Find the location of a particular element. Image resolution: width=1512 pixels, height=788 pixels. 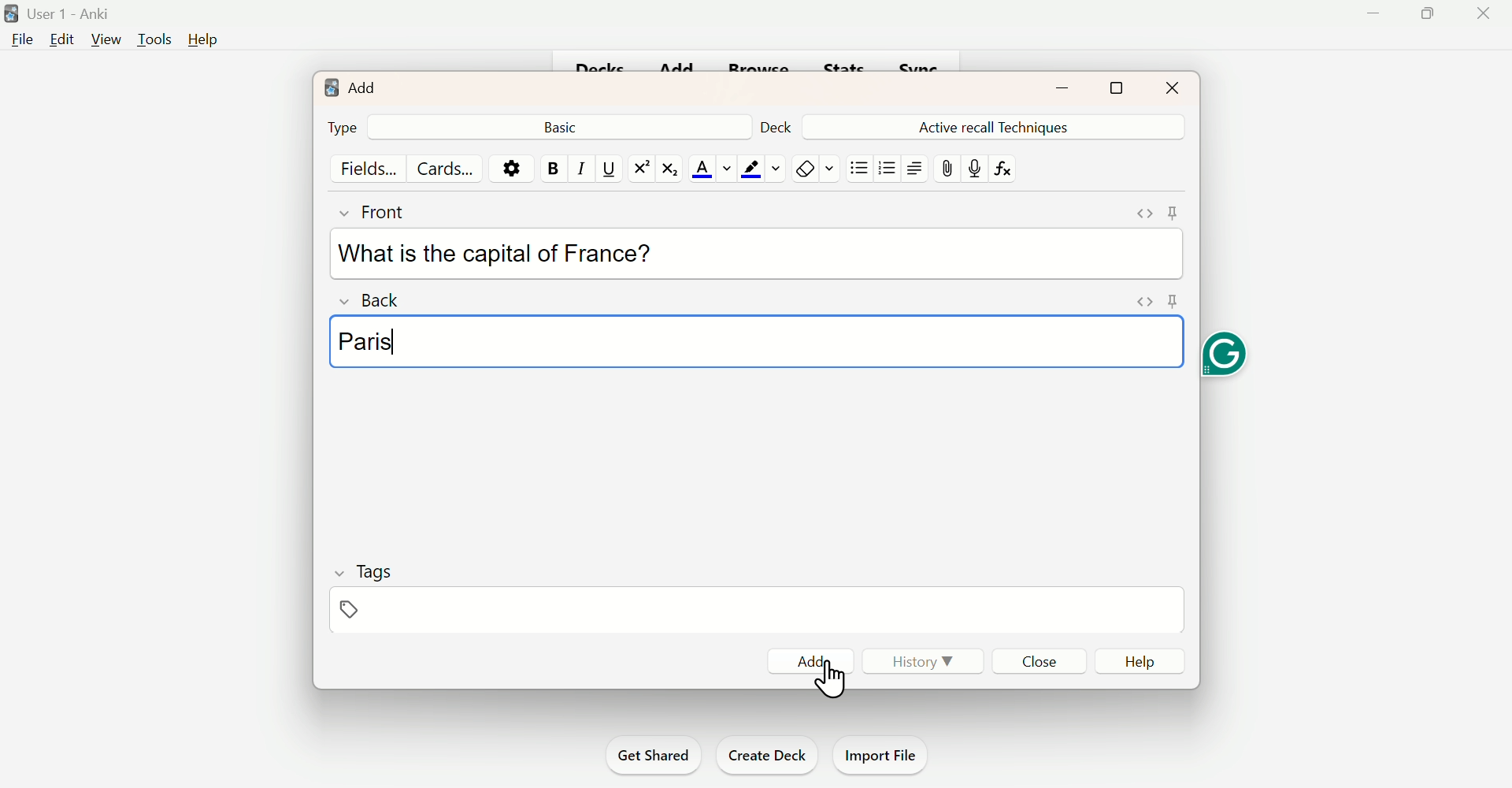

Get Shared is located at coordinates (648, 754).